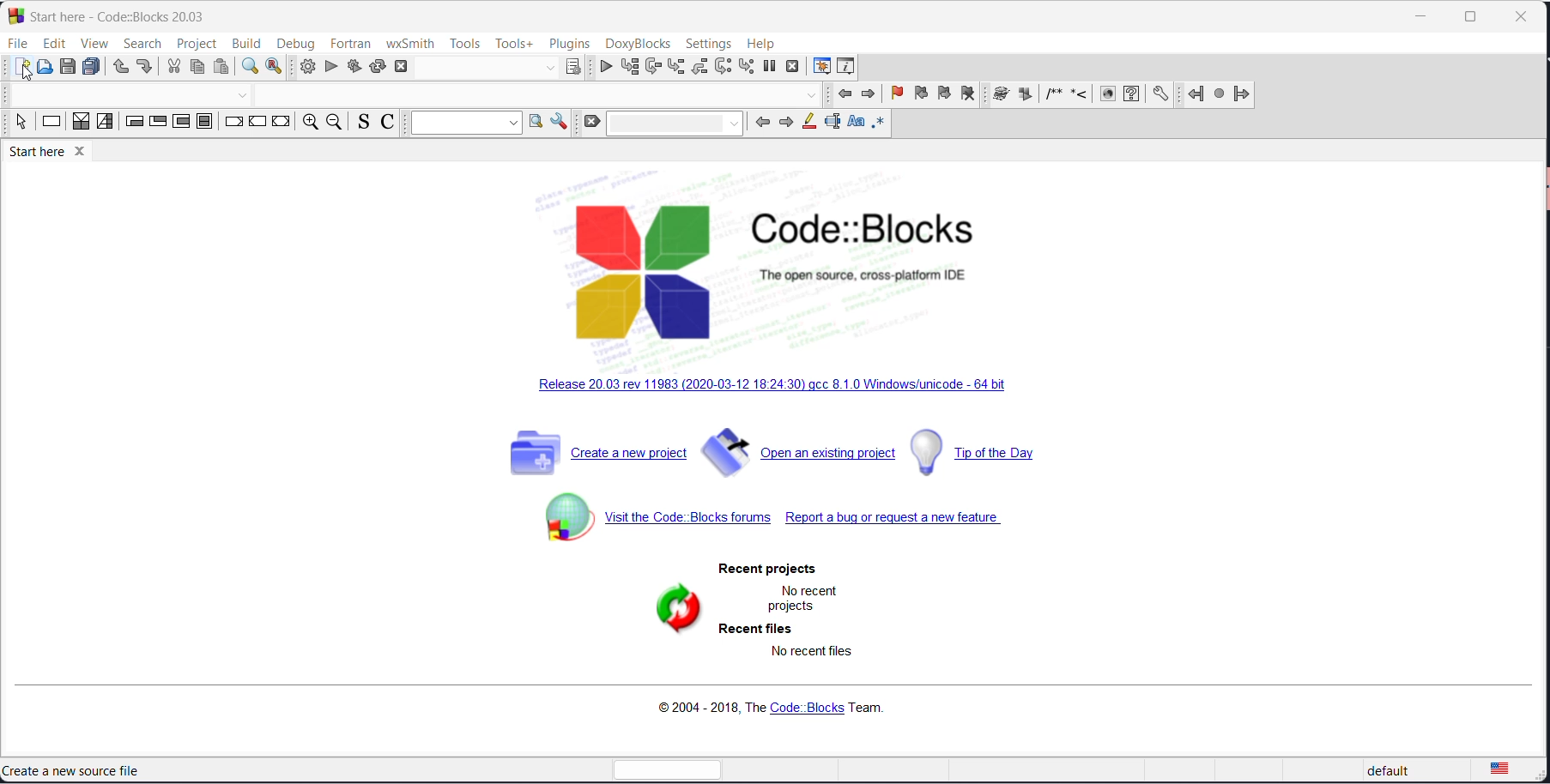 This screenshot has width=1550, height=784. I want to click on run to cursor, so click(630, 69).